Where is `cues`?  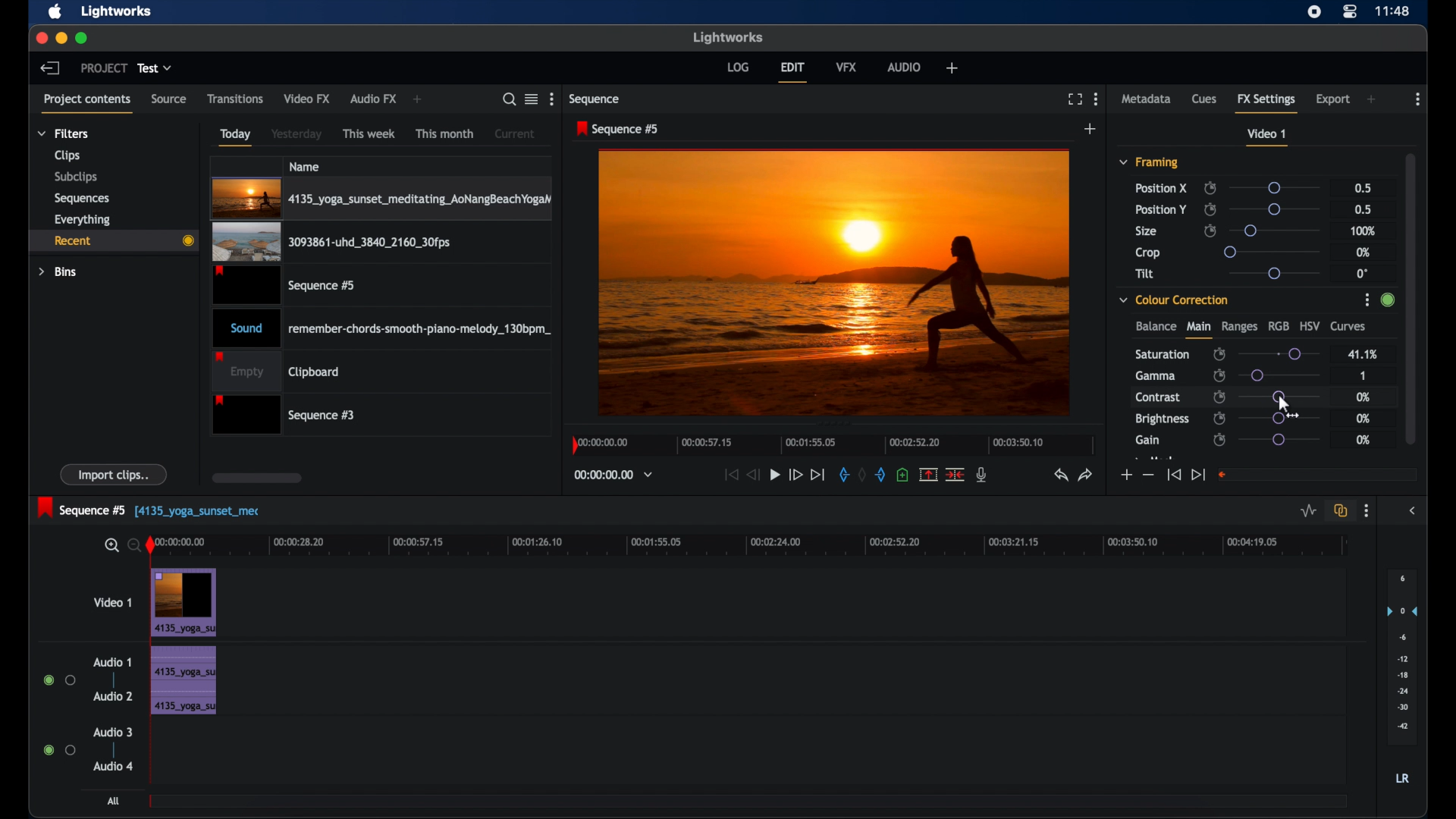 cues is located at coordinates (1205, 99).